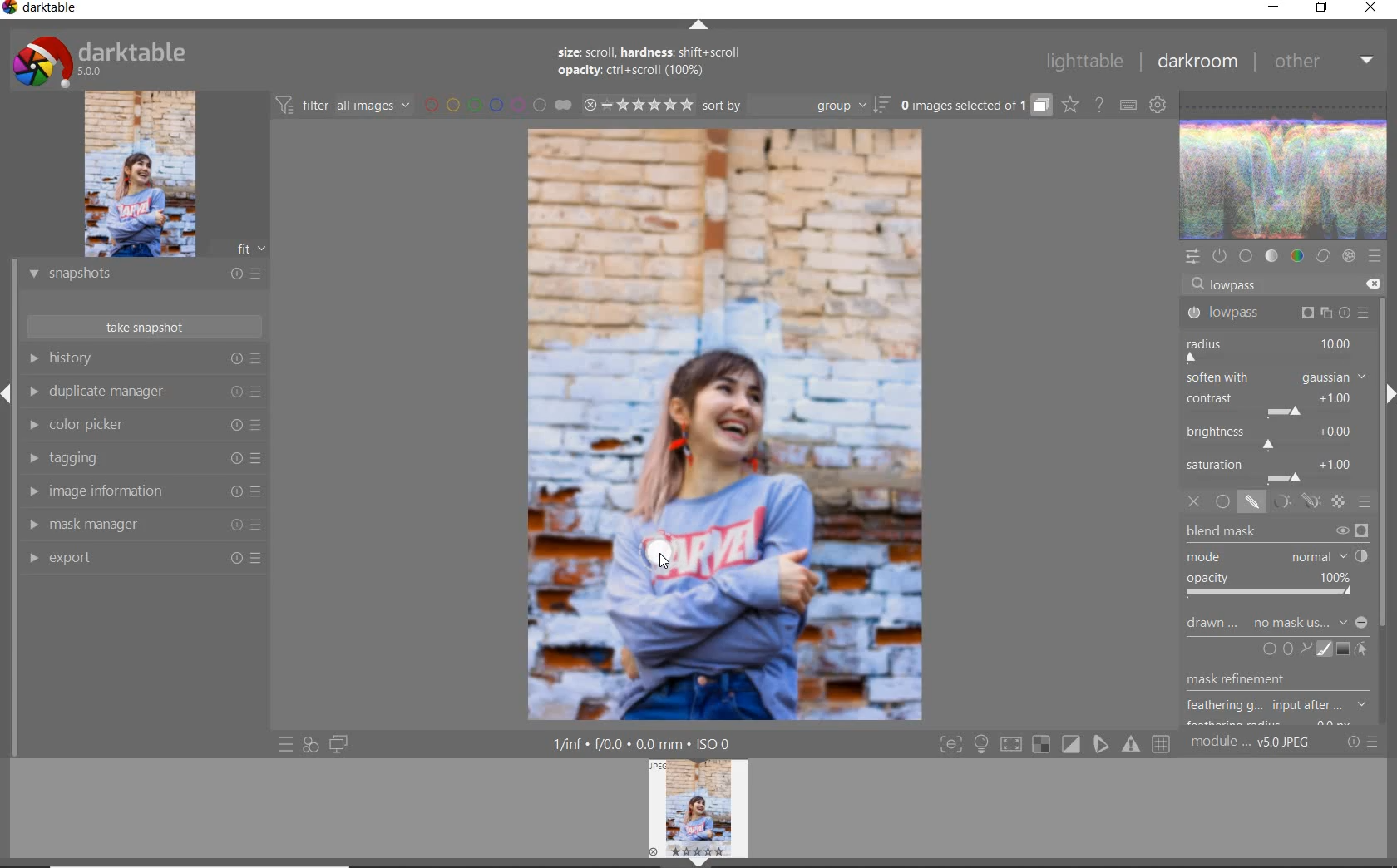 This screenshot has width=1397, height=868. I want to click on module..v50JPEG, so click(1253, 743).